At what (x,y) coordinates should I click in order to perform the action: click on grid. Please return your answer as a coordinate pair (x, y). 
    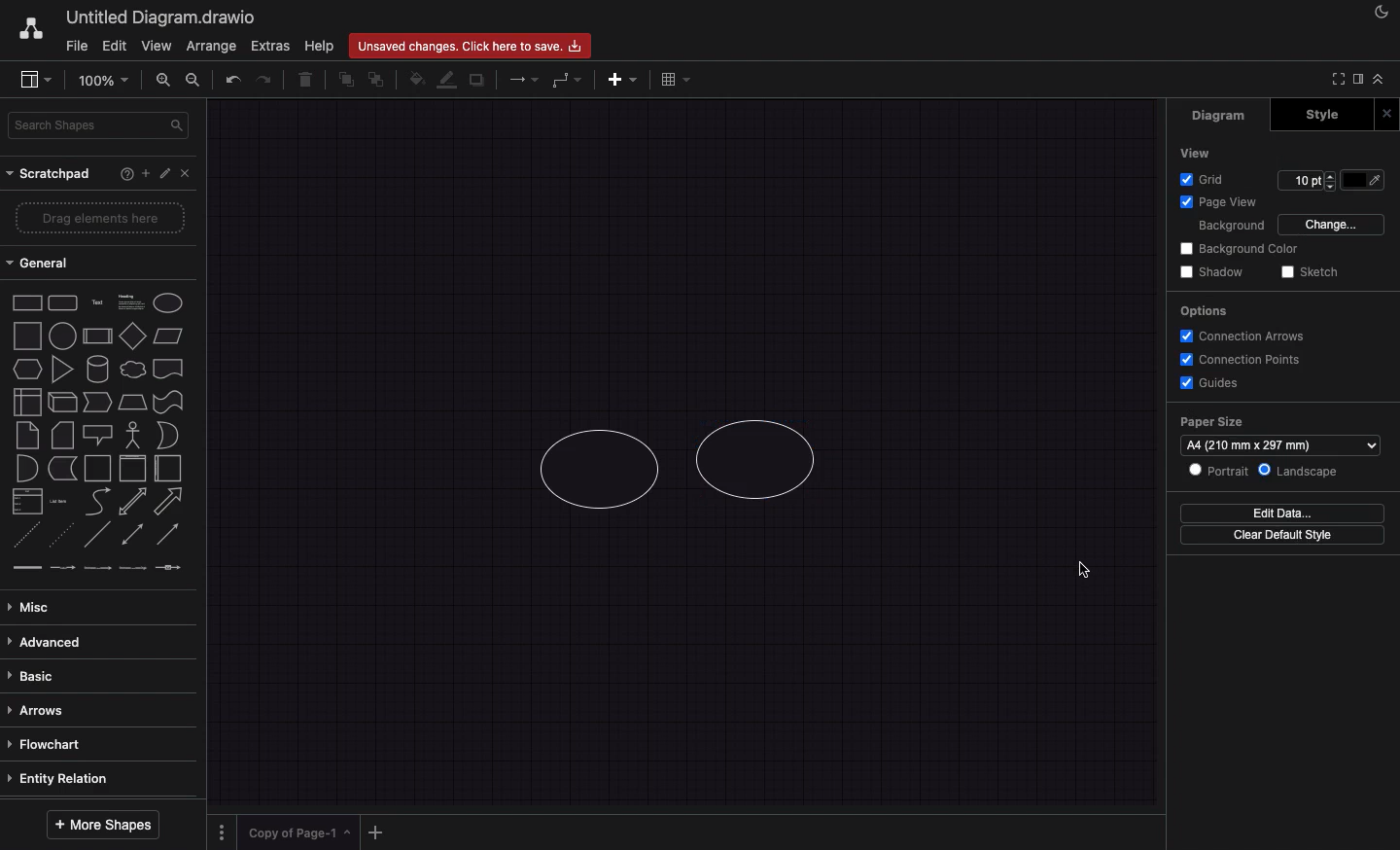
    Looking at the image, I should click on (1203, 181).